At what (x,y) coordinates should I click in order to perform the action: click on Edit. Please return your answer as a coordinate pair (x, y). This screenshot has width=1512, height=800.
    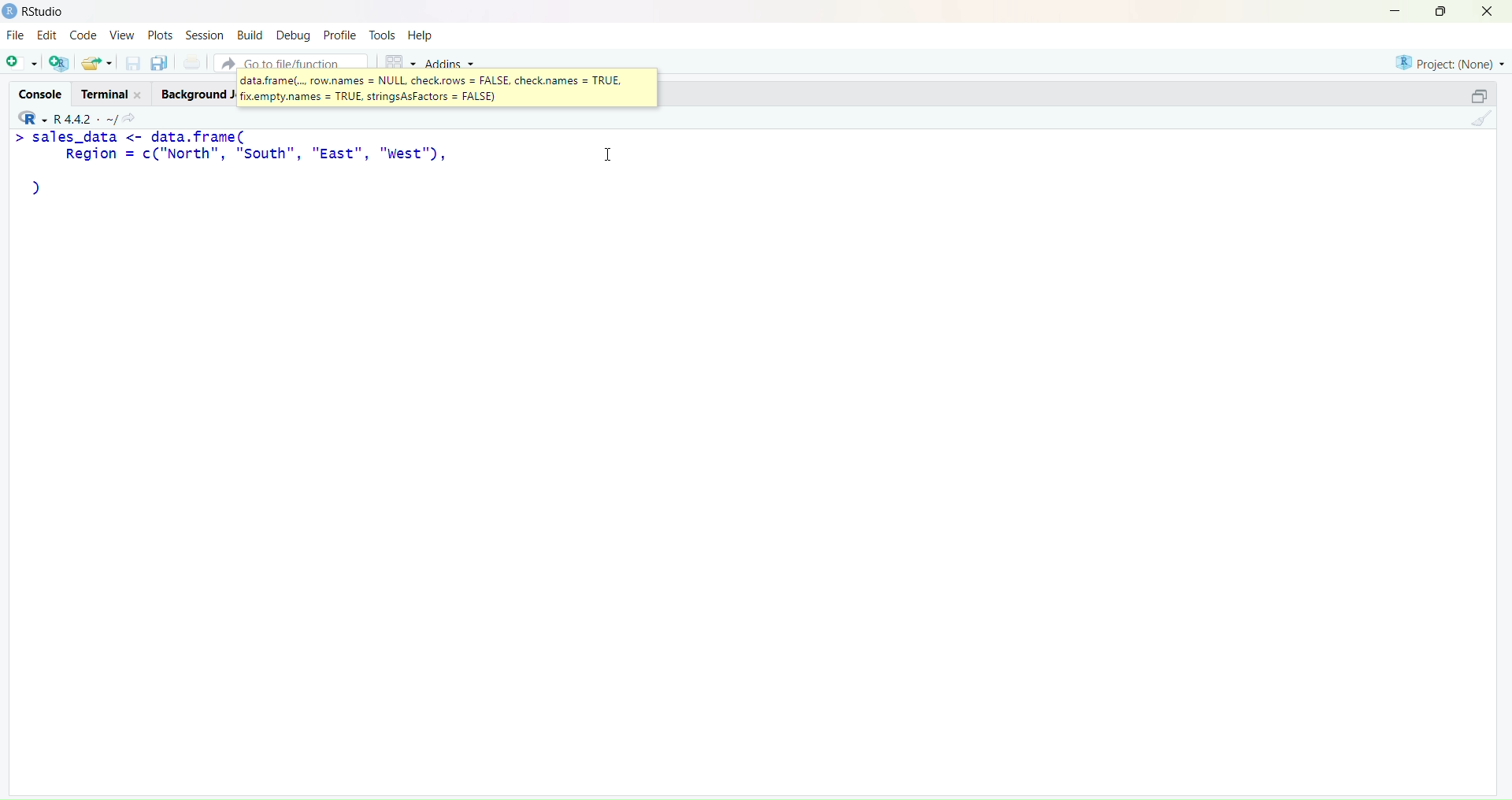
    Looking at the image, I should click on (46, 37).